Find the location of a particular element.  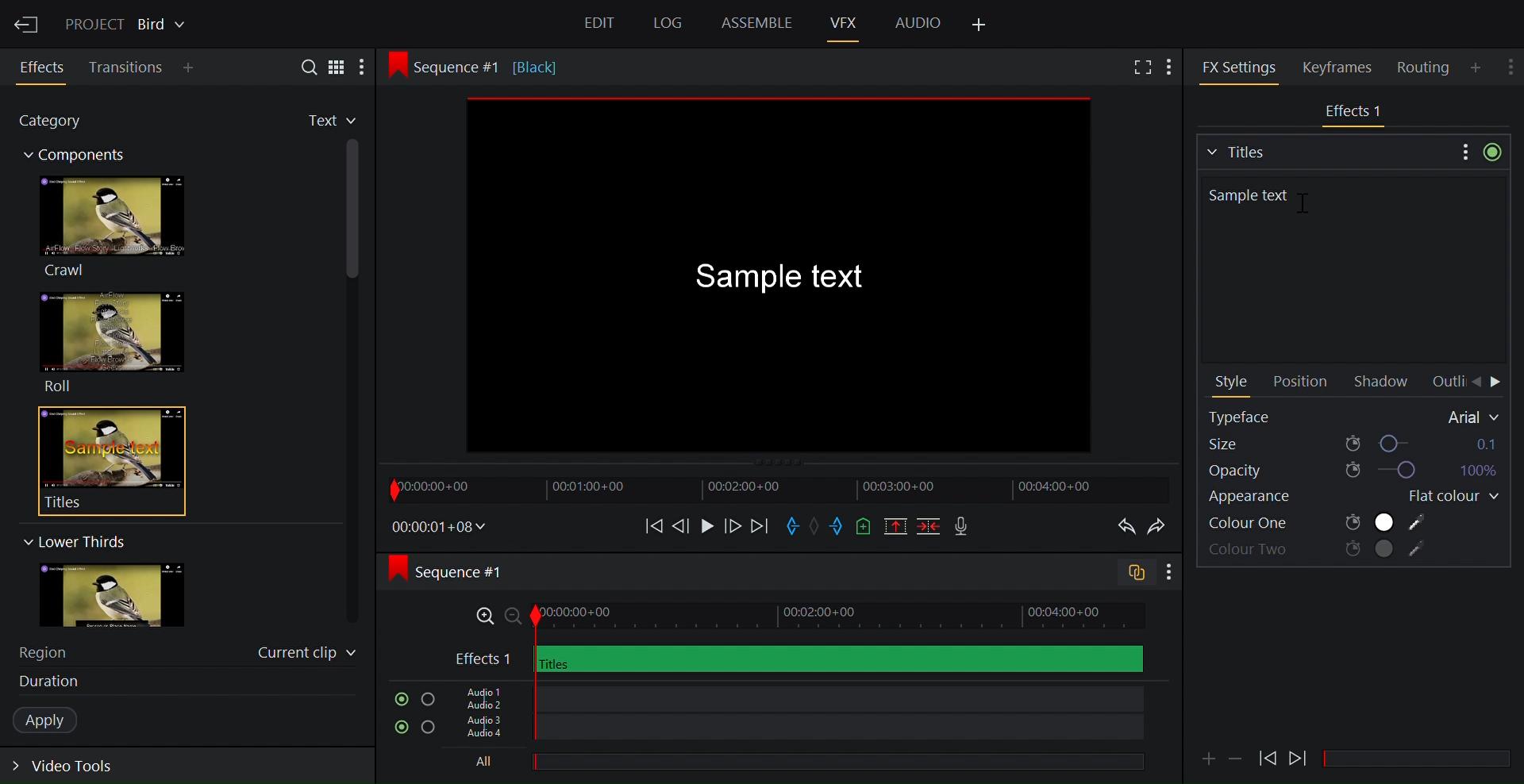

Typeface is located at coordinates (1355, 417).